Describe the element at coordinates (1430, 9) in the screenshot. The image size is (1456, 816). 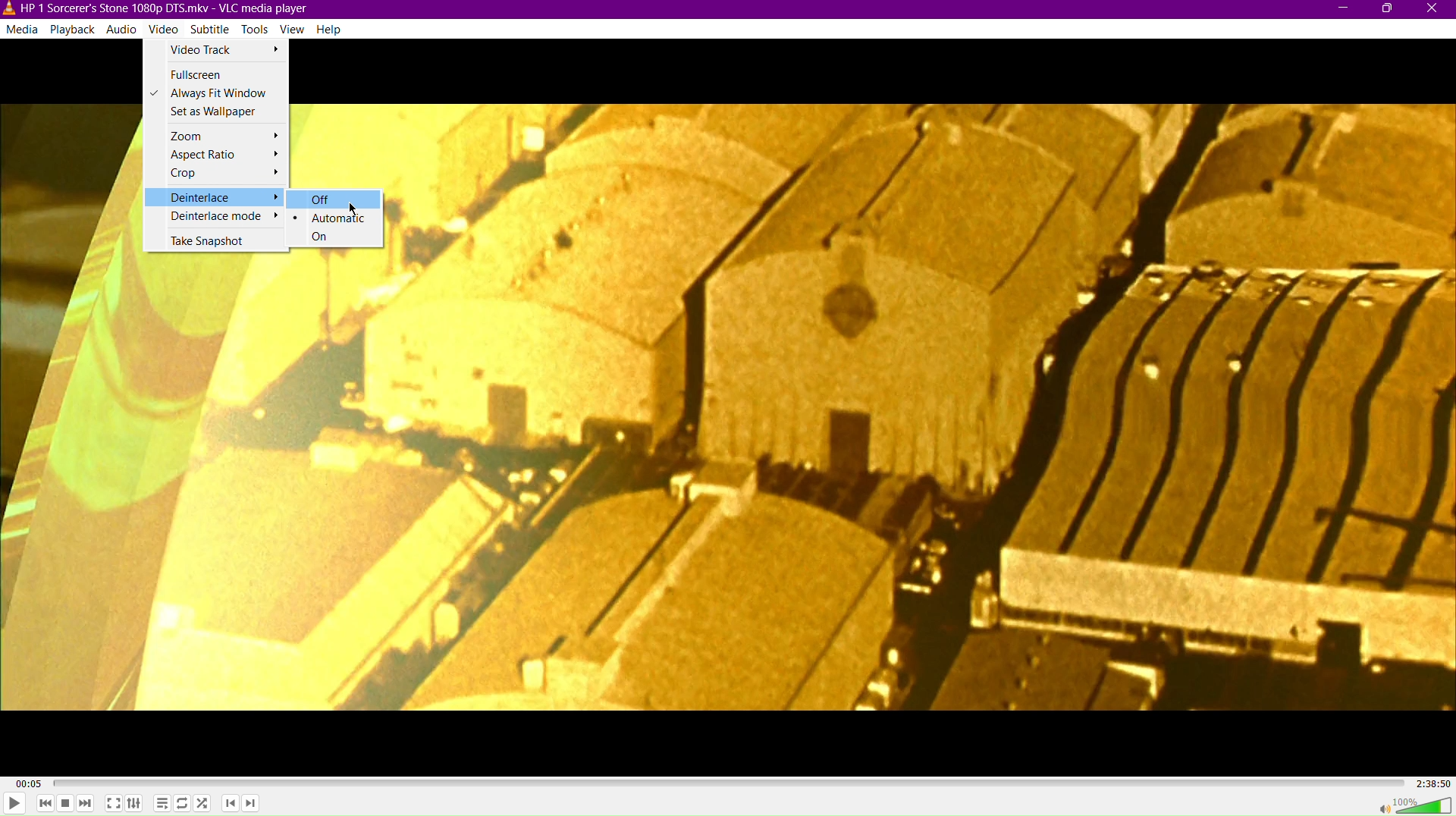
I see `Close` at that location.